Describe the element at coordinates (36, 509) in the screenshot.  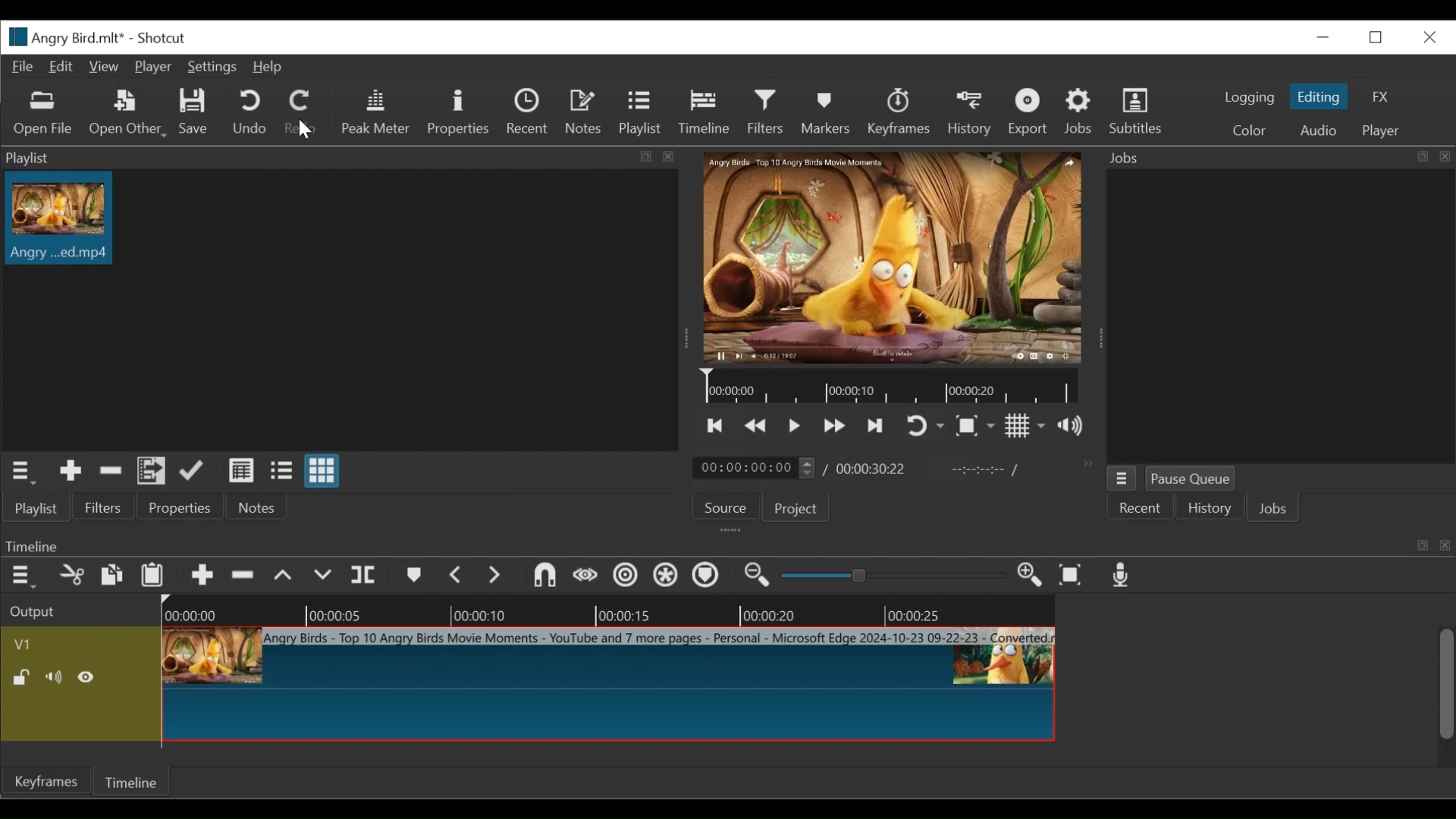
I see `Playlist` at that location.